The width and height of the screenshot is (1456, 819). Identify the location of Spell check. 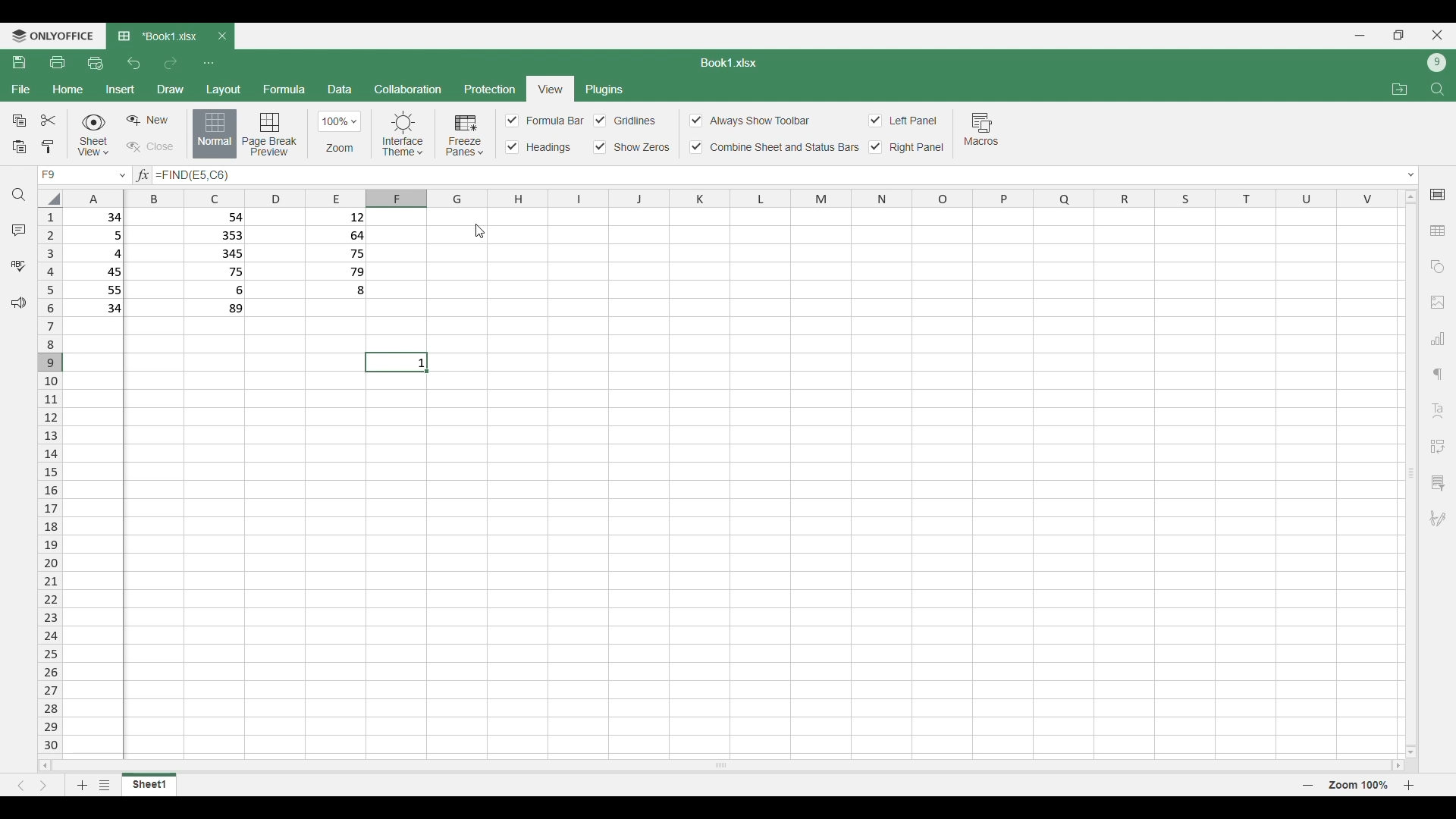
(18, 266).